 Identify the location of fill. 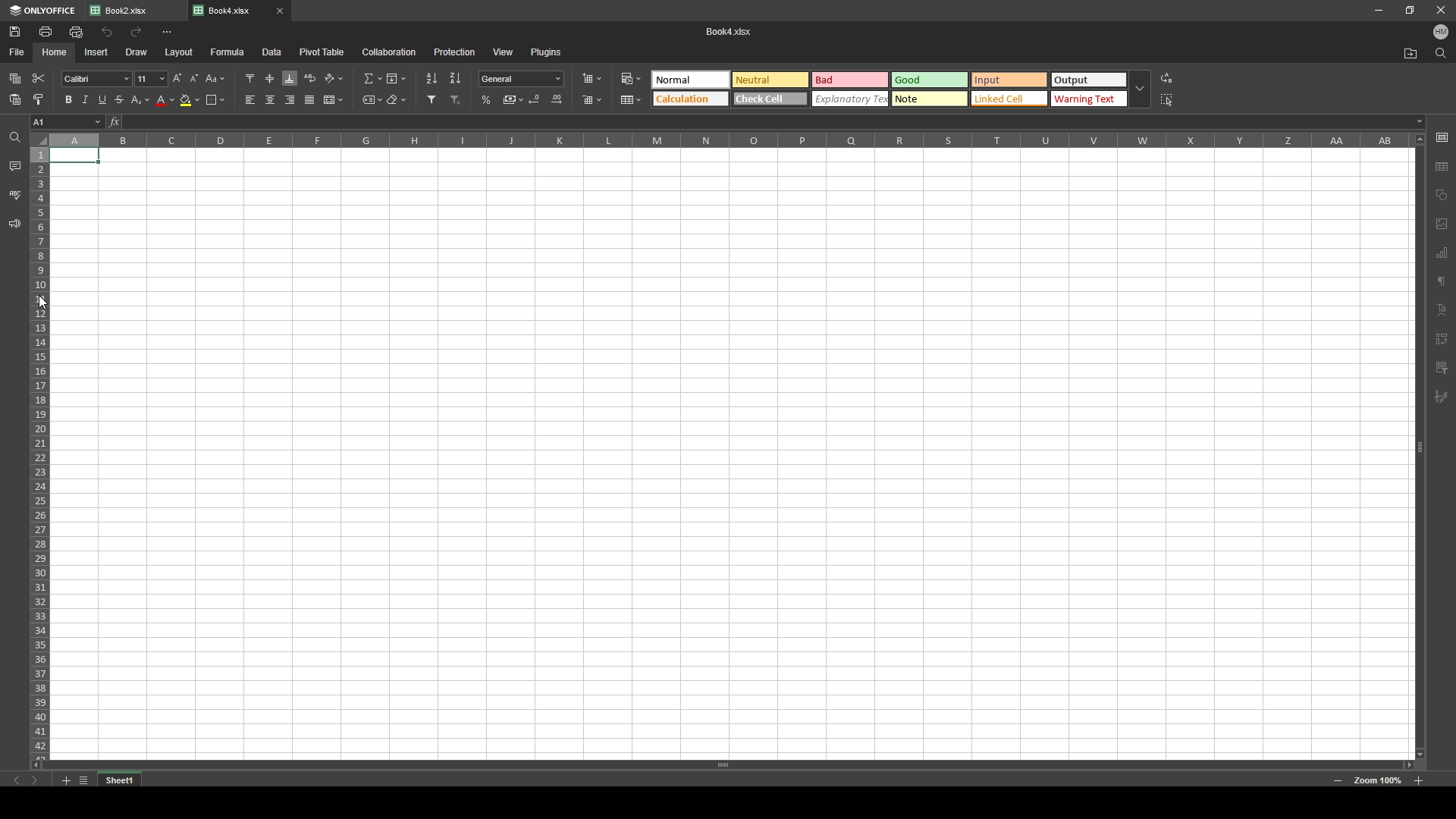
(396, 79).